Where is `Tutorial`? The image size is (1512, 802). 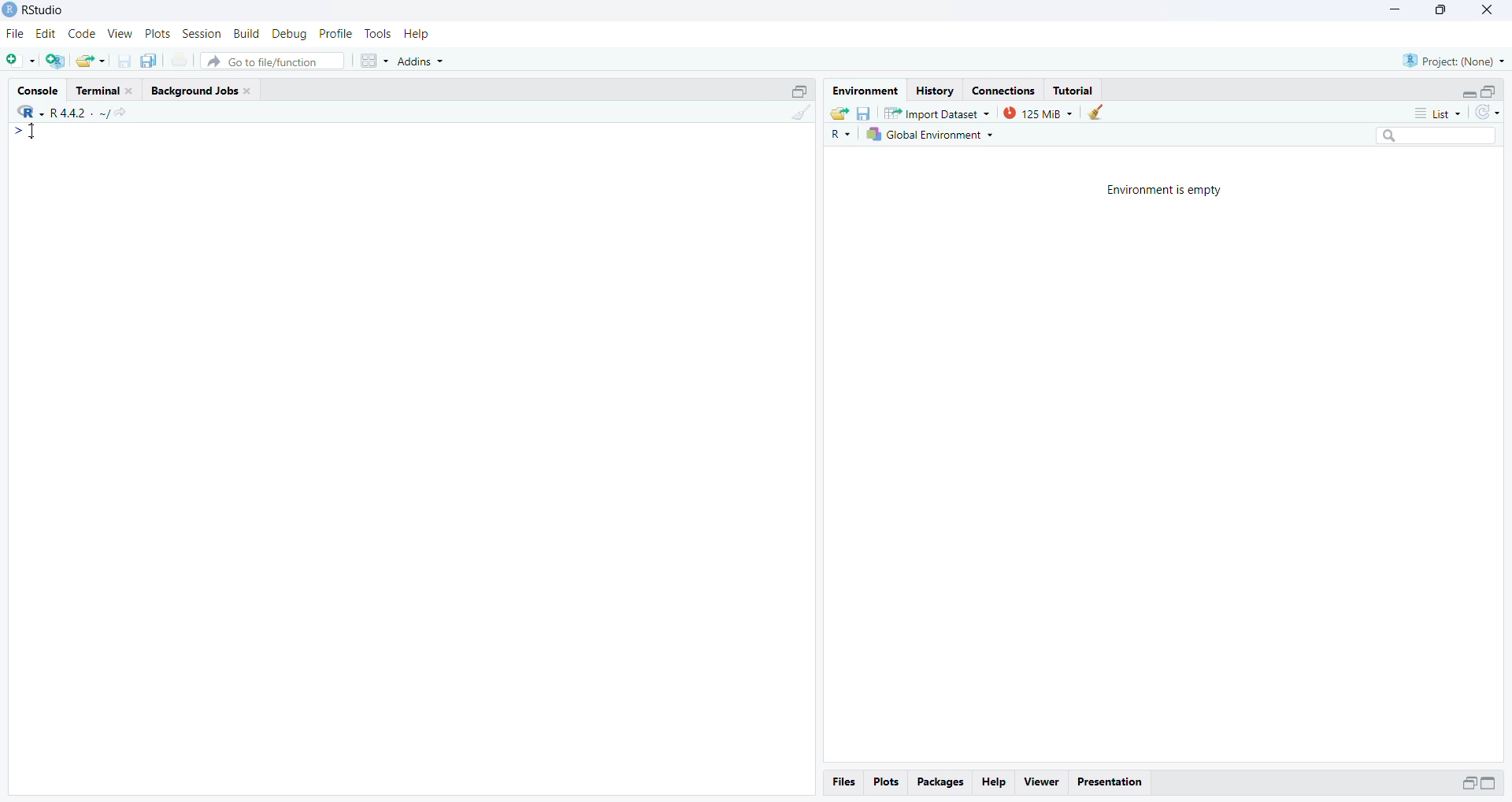 Tutorial is located at coordinates (1074, 90).